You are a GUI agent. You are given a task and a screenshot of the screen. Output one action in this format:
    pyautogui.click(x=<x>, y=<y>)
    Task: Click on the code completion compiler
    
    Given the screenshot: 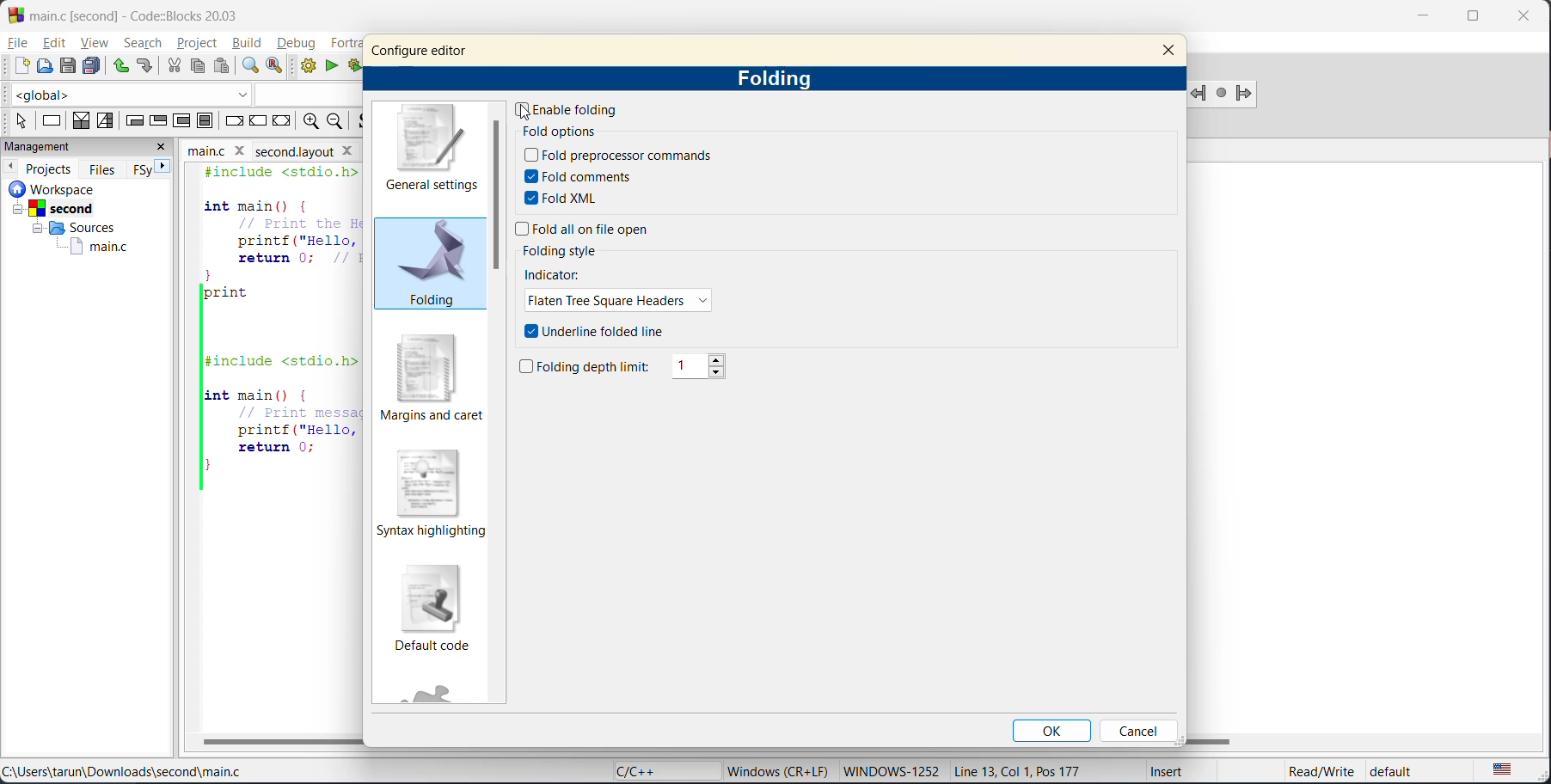 What is the action you would take?
    pyautogui.click(x=182, y=95)
    